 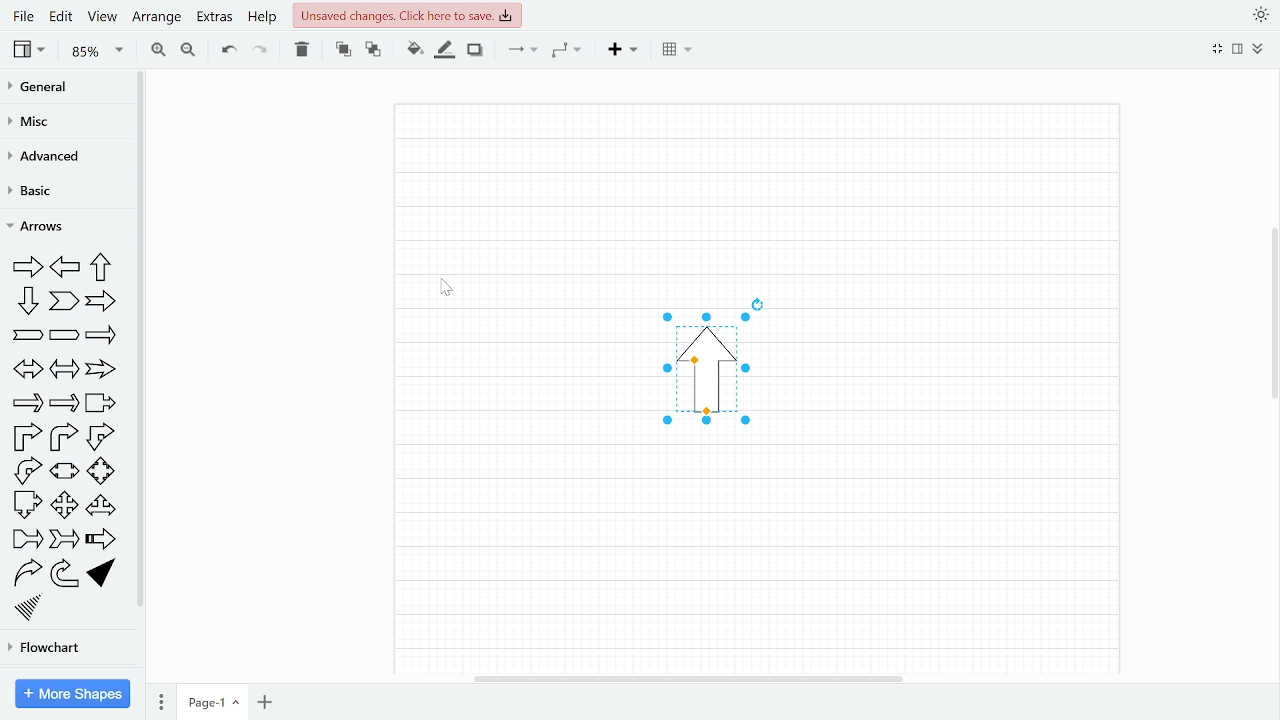 What do you see at coordinates (372, 50) in the screenshot?
I see `To back` at bounding box center [372, 50].